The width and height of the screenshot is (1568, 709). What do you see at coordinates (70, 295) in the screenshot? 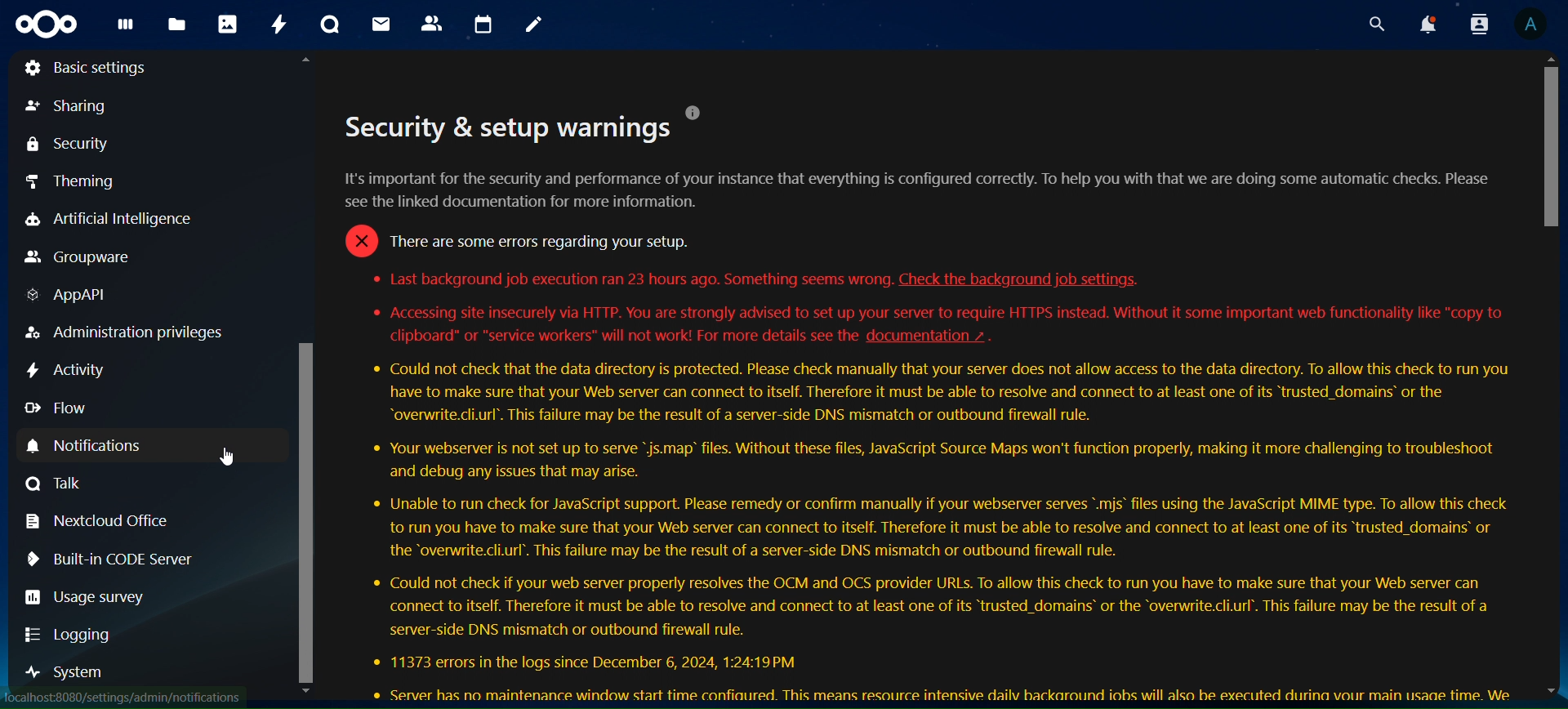
I see `AppAPI` at bounding box center [70, 295].